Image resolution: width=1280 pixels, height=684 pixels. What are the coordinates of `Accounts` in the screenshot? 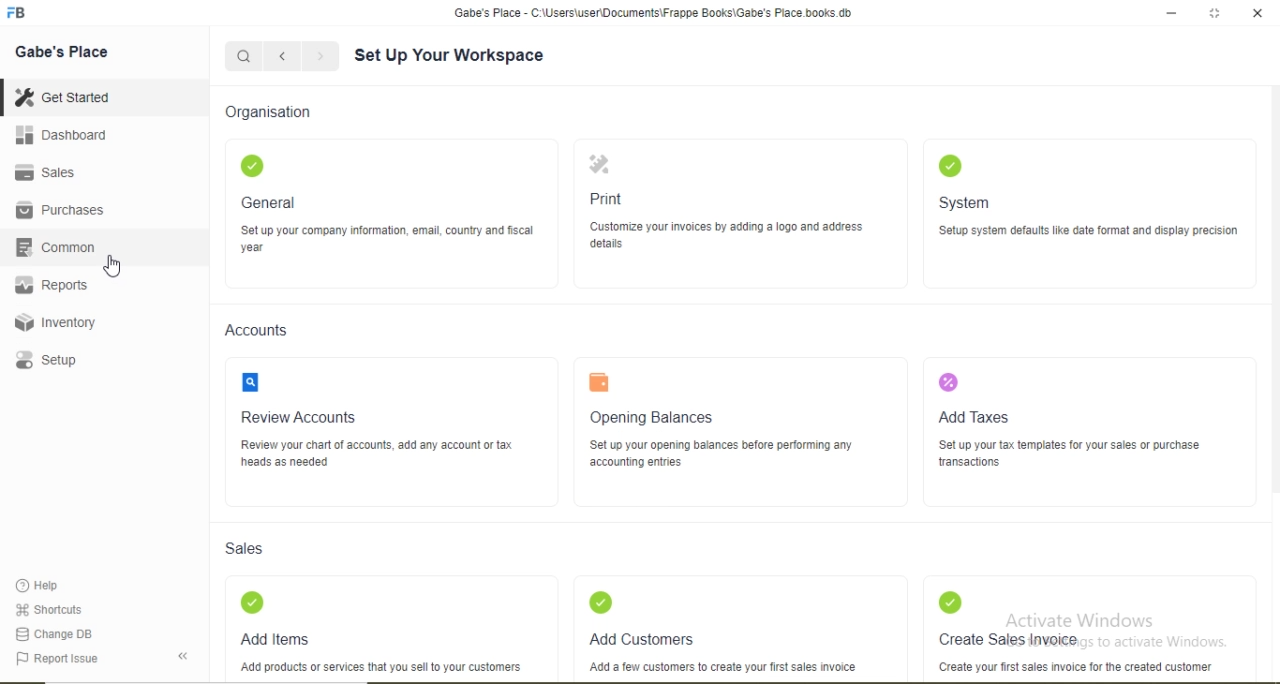 It's located at (255, 330).